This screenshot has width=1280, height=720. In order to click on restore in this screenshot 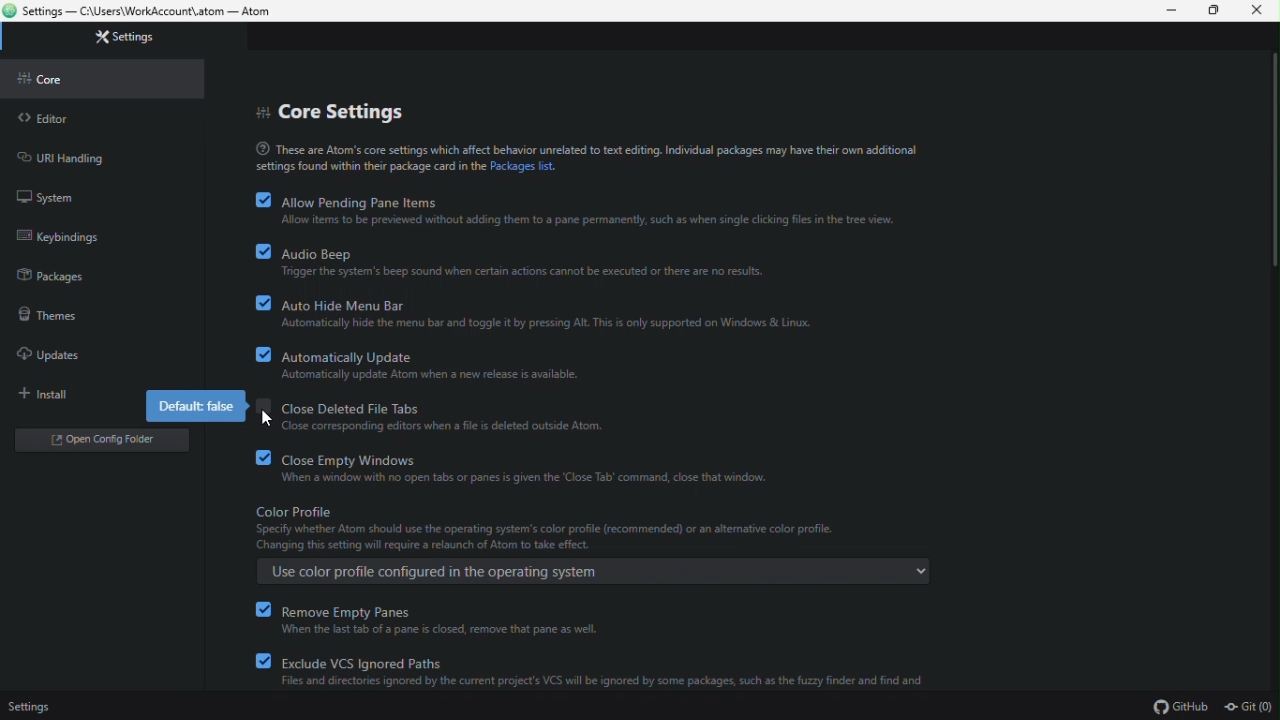, I will do `click(1215, 12)`.